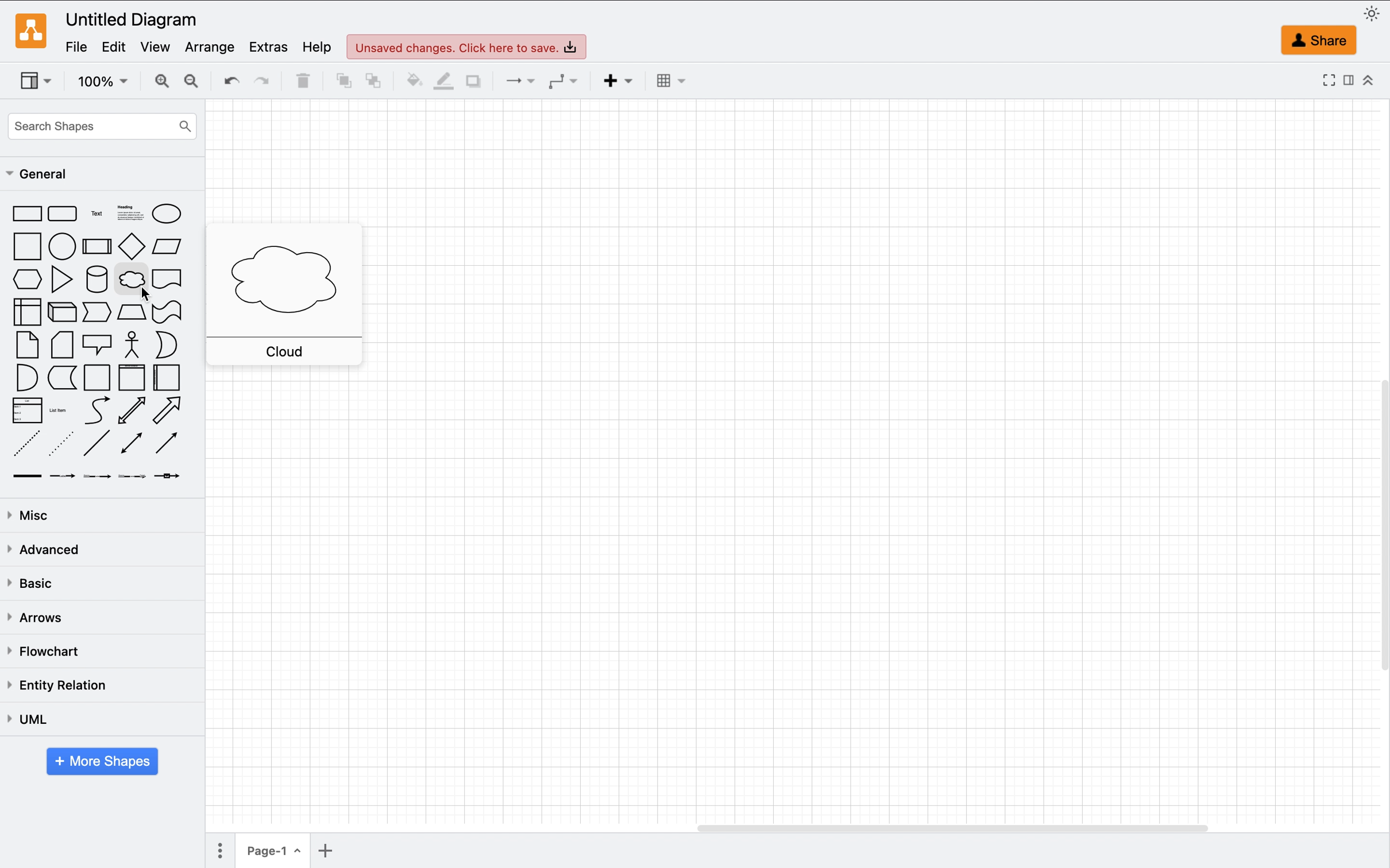  What do you see at coordinates (175, 411) in the screenshot?
I see `directional arrow` at bounding box center [175, 411].